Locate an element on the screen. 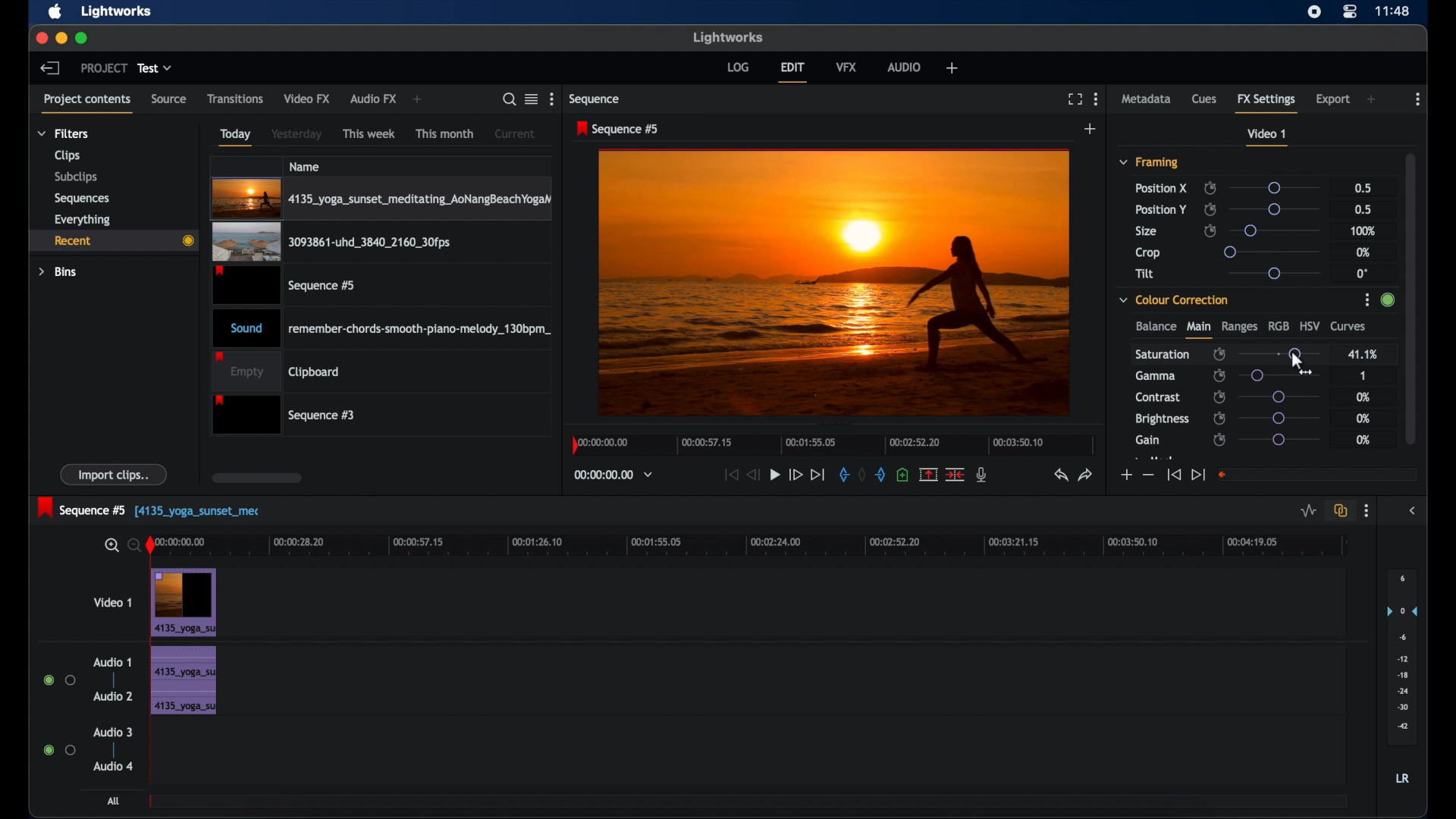 Image resolution: width=1456 pixels, height=819 pixels. slider is located at coordinates (1279, 418).